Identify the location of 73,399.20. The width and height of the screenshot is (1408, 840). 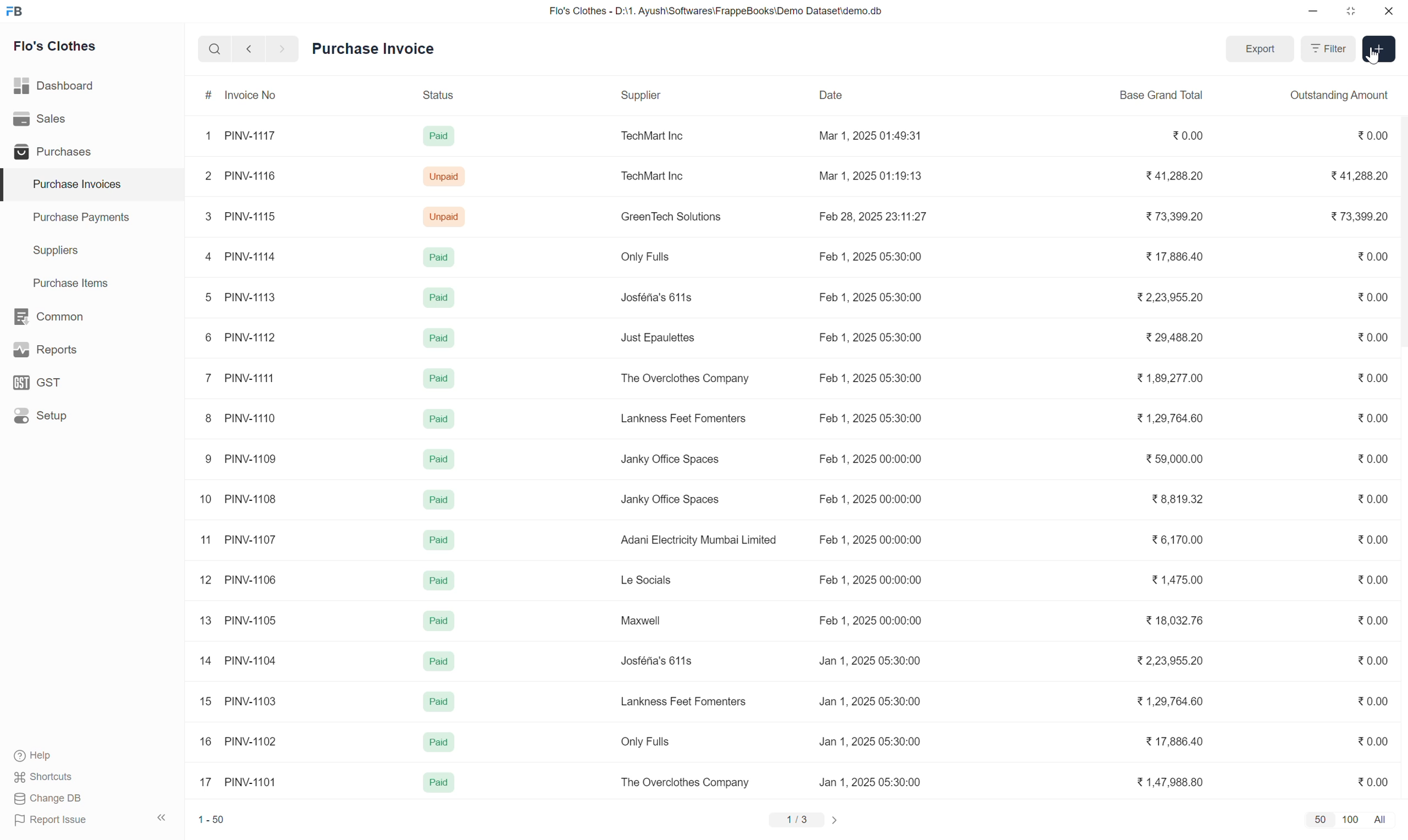
(1358, 216).